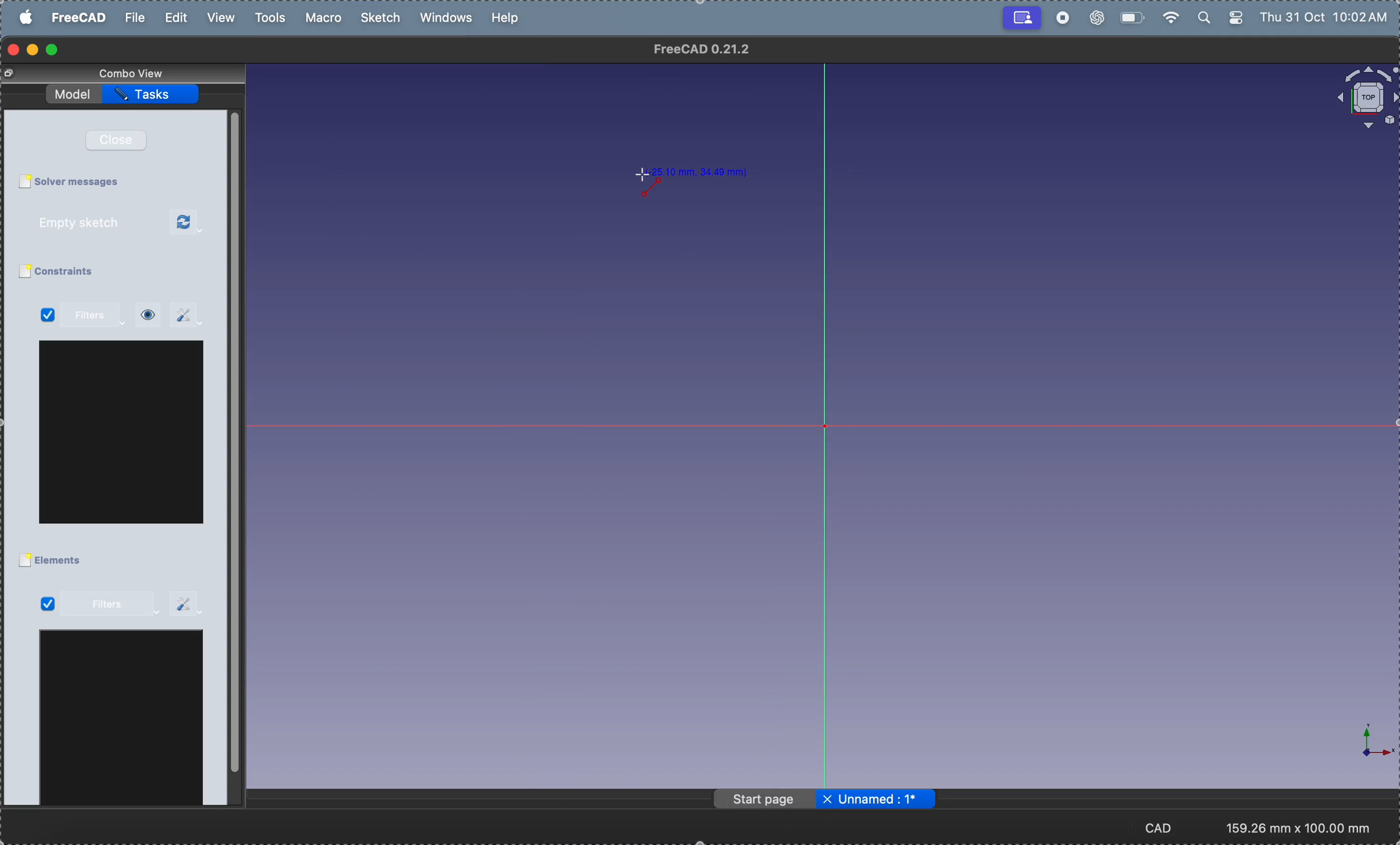  Describe the element at coordinates (27, 17) in the screenshot. I see `apple menu` at that location.